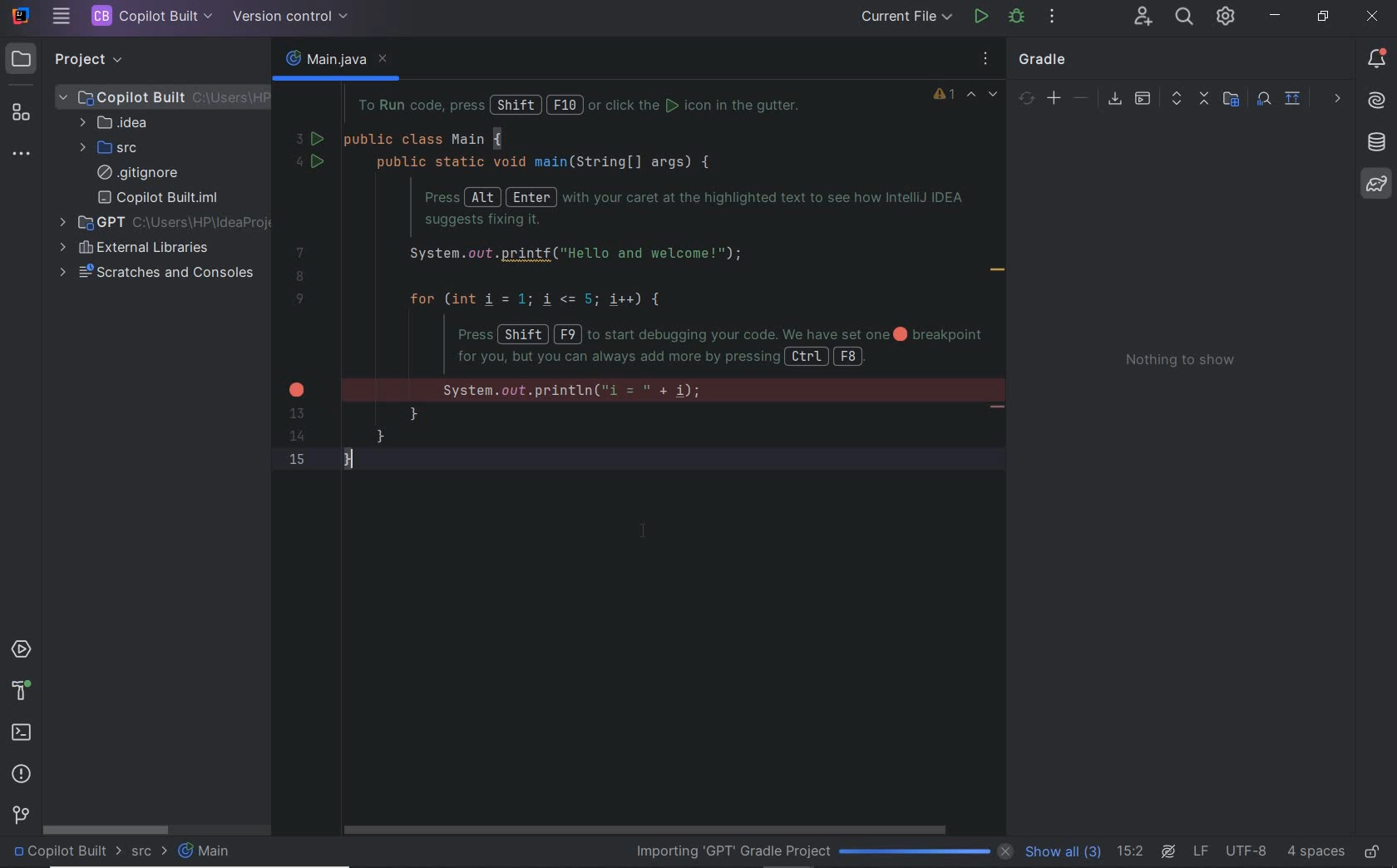 The width and height of the screenshot is (1397, 868). What do you see at coordinates (67, 852) in the screenshot?
I see `project name` at bounding box center [67, 852].